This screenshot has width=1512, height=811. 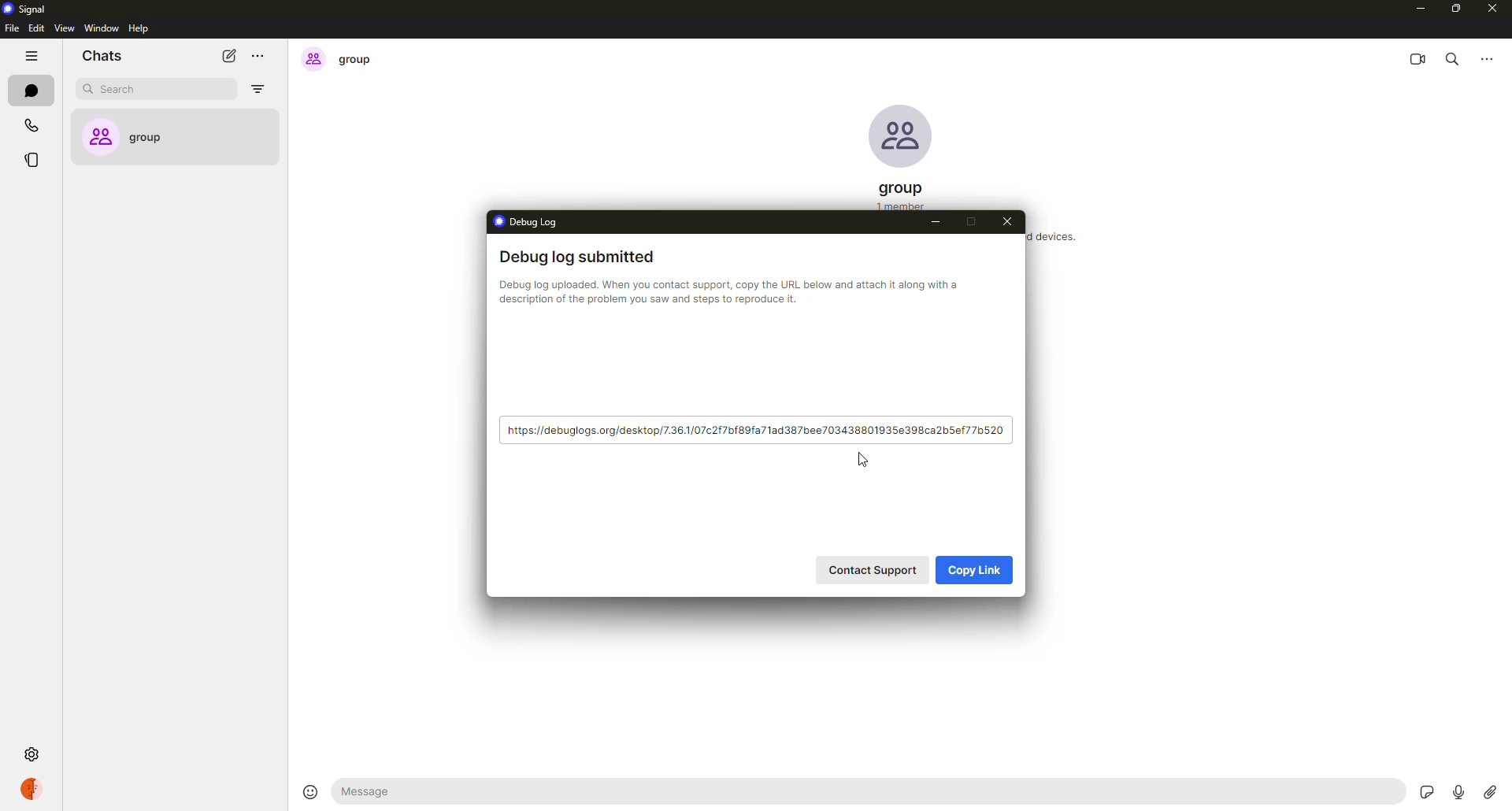 I want to click on chats, so click(x=107, y=56).